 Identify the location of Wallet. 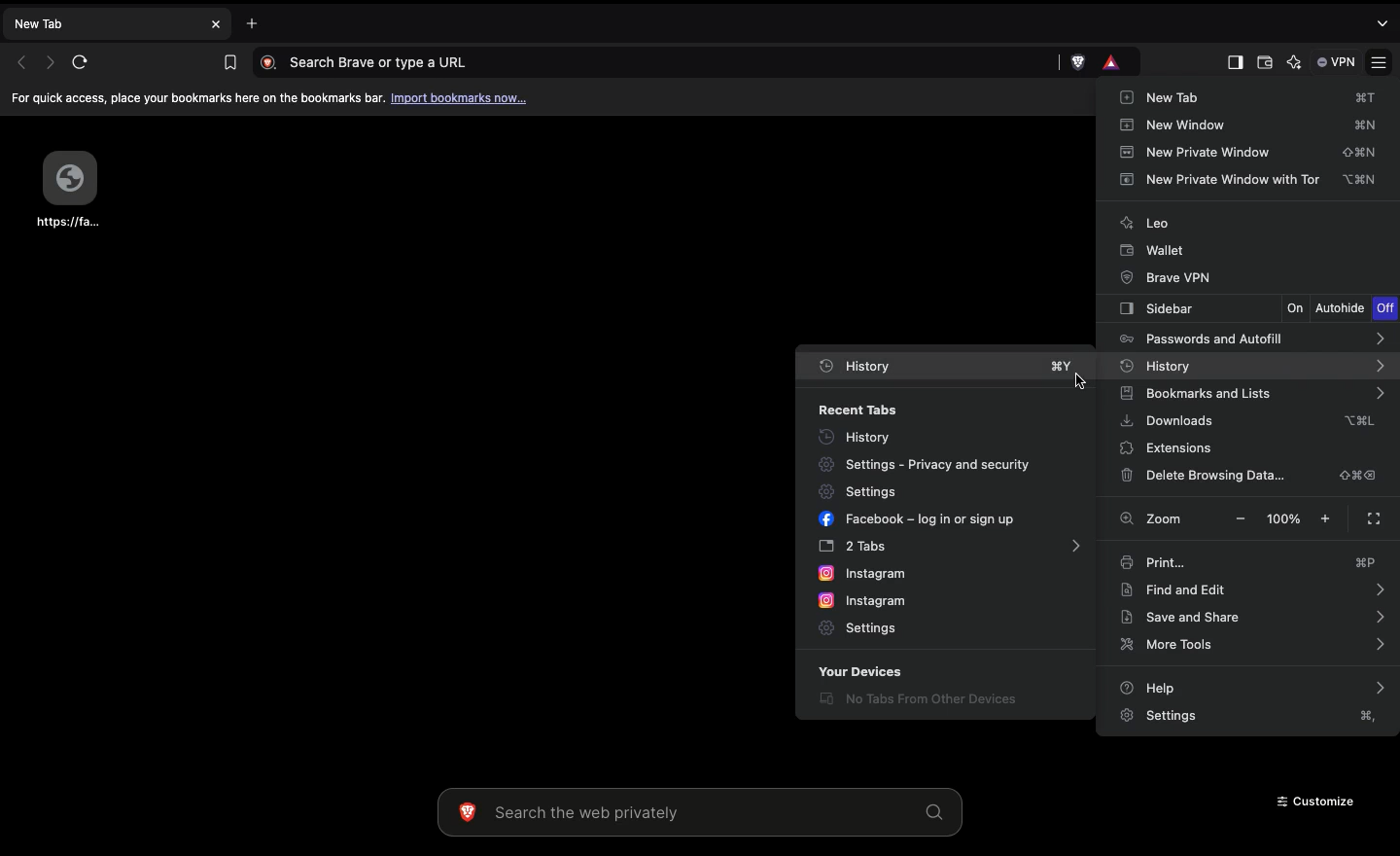
(1148, 253).